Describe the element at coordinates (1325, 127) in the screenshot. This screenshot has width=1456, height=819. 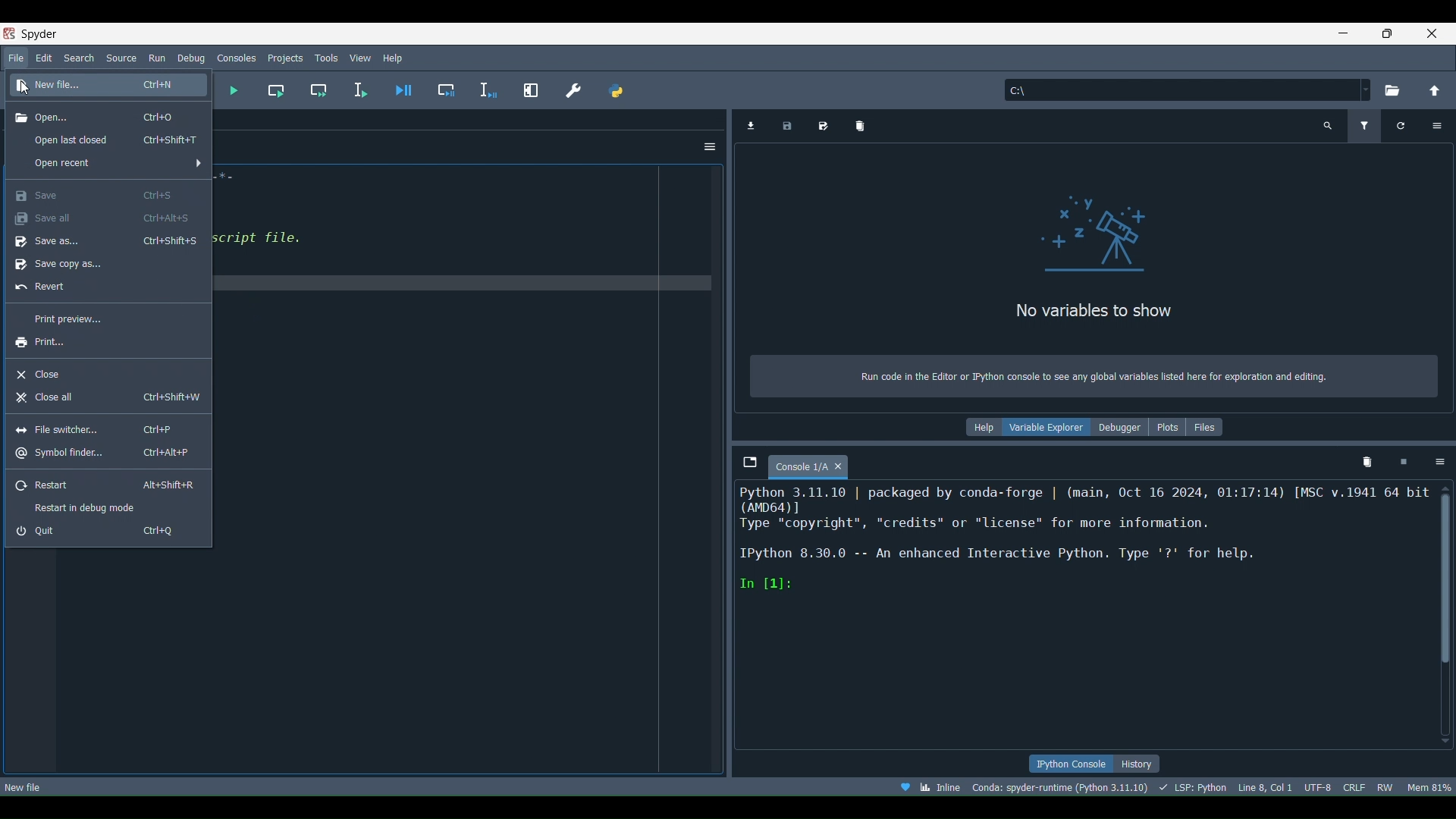
I see `Search variable names and types(Ctrl + F)` at that location.